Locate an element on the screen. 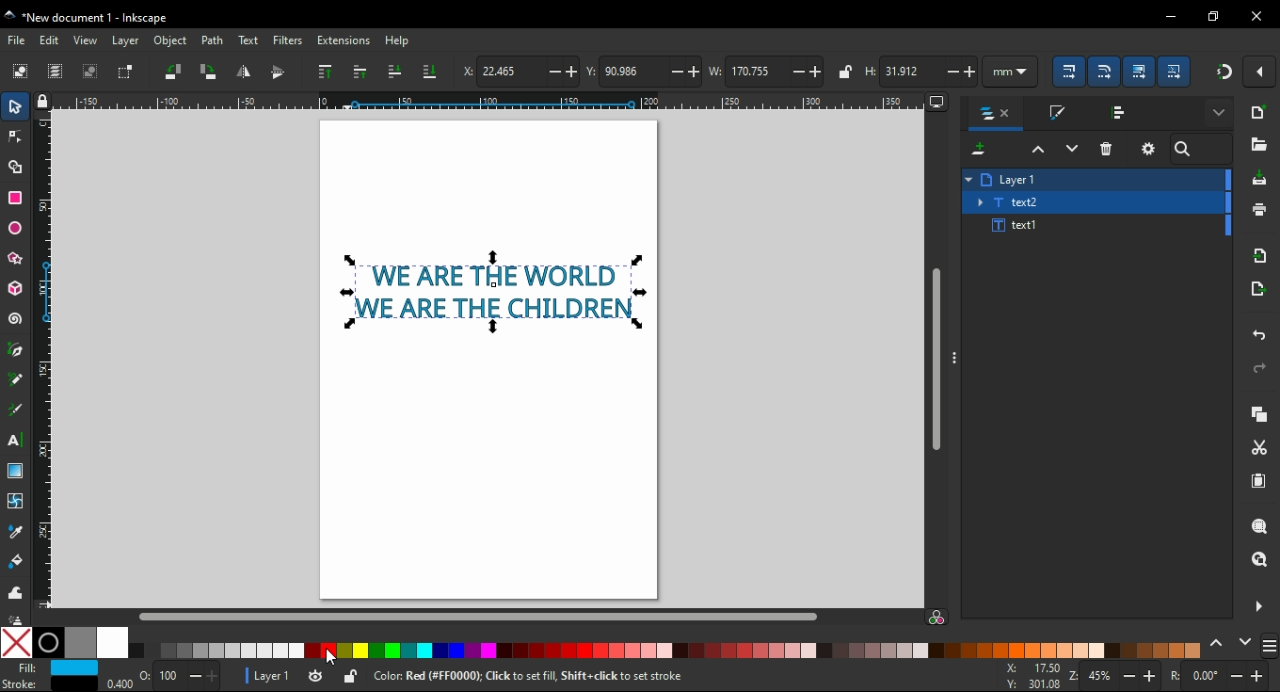  deselect is located at coordinates (93, 73).